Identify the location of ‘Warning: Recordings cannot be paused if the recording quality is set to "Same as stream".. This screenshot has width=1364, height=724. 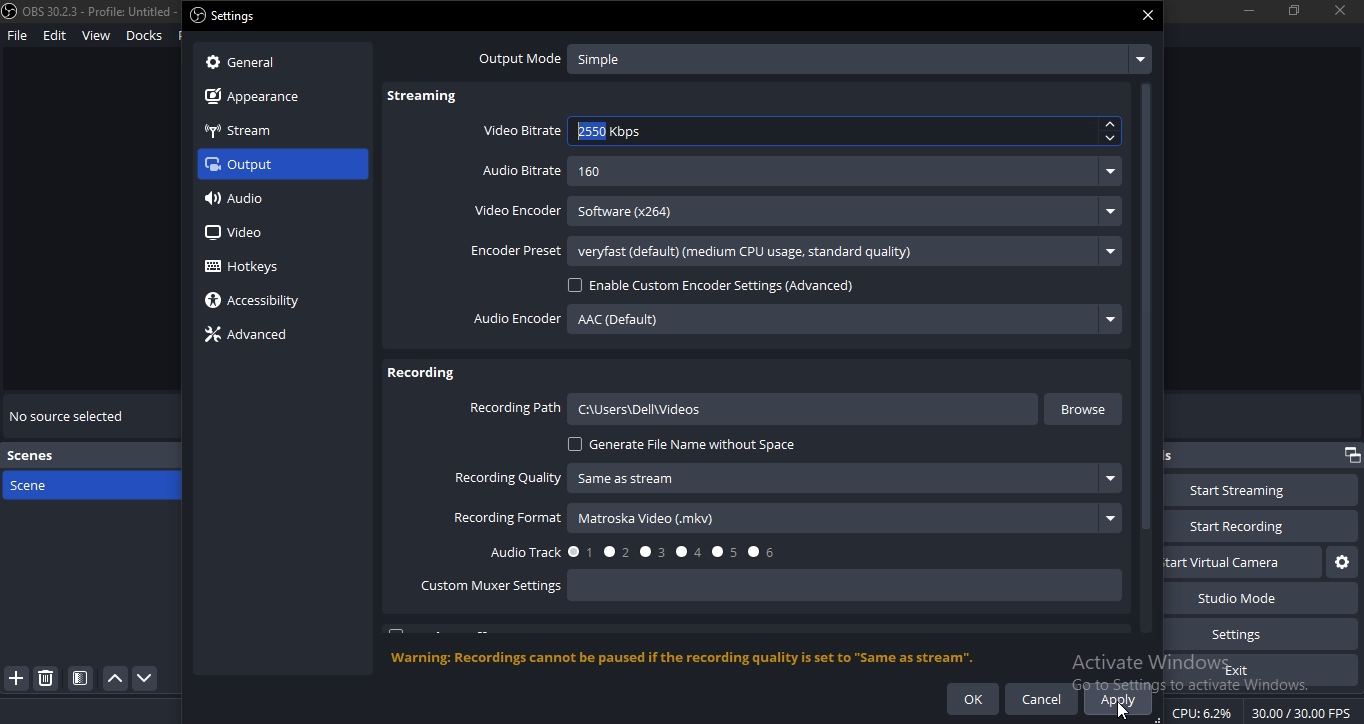
(691, 657).